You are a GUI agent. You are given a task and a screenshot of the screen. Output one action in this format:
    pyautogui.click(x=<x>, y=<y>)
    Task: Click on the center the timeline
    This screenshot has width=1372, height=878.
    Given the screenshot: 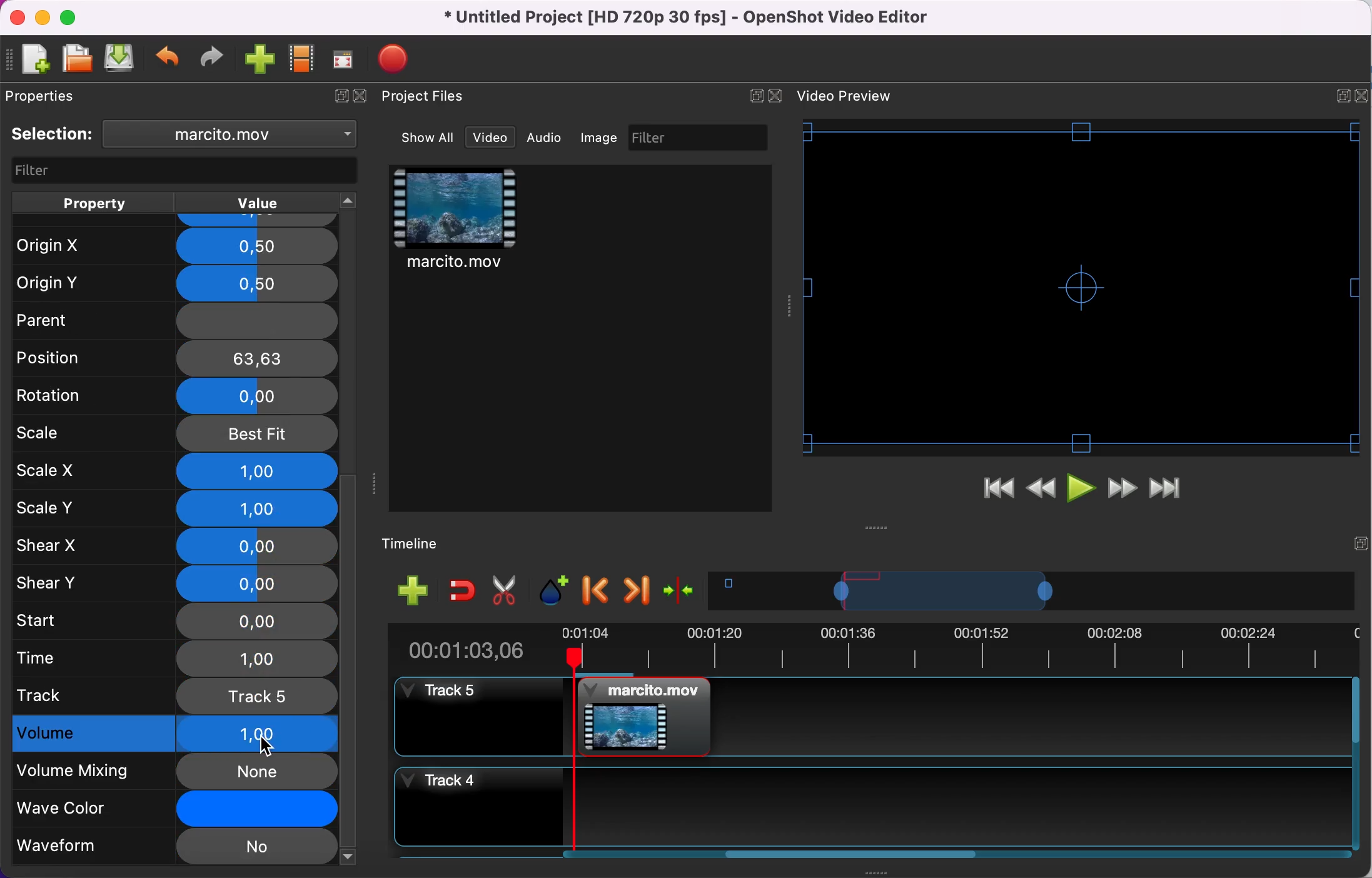 What is the action you would take?
    pyautogui.click(x=682, y=589)
    